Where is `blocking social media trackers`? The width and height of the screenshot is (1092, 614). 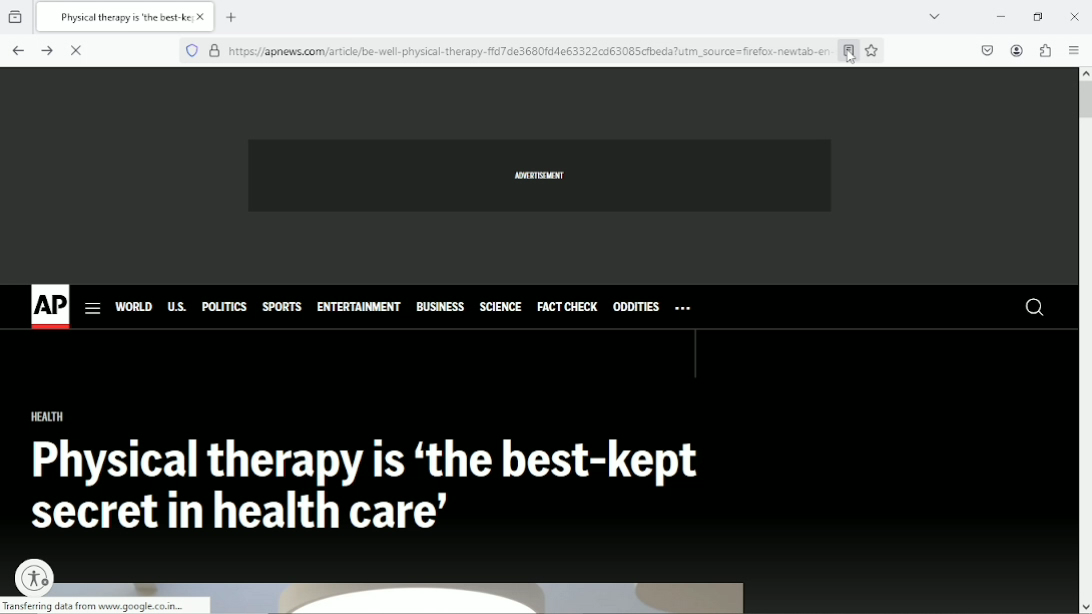 blocking social media trackers is located at coordinates (191, 50).